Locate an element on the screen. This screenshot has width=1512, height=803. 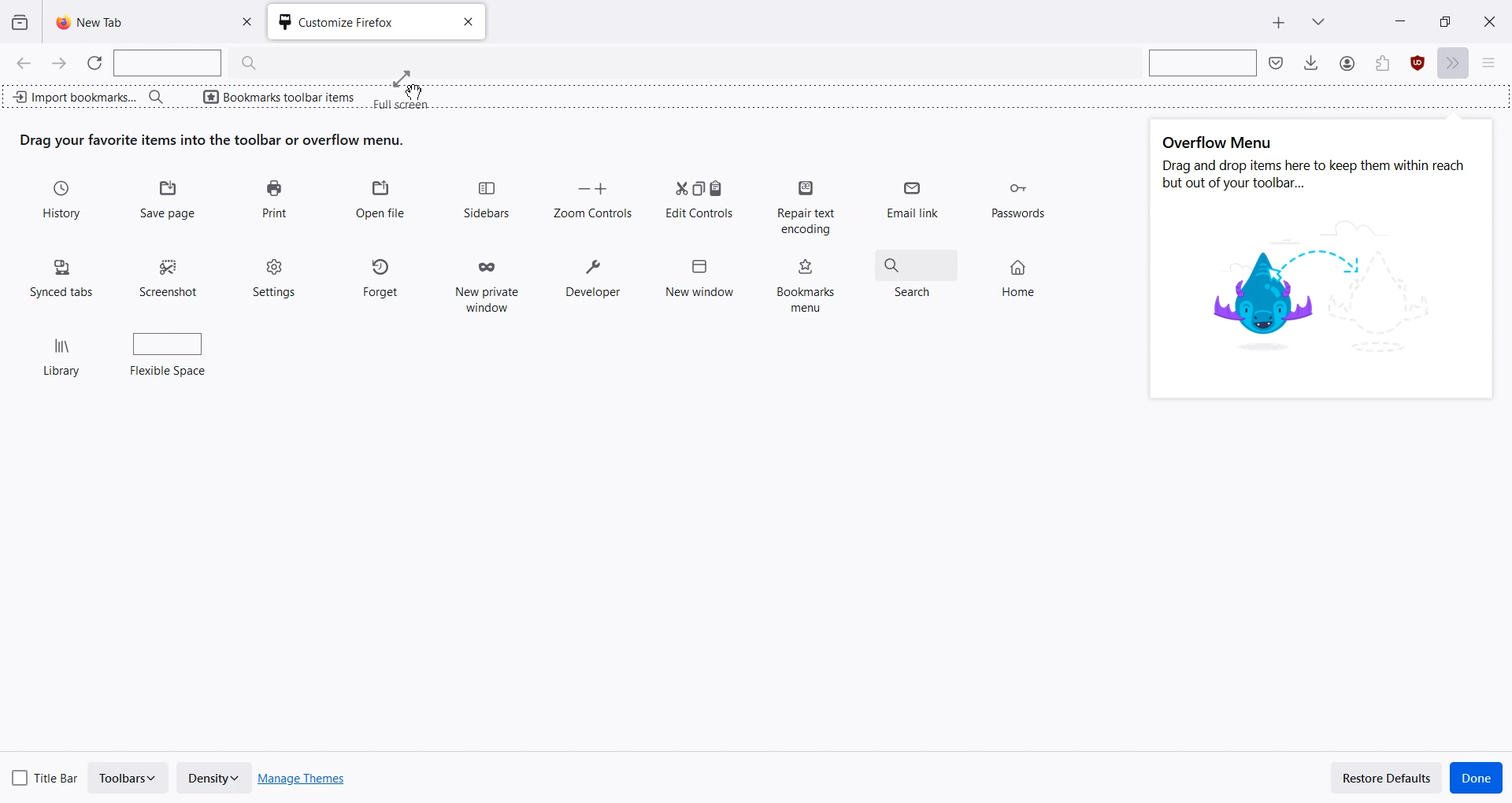
image is located at coordinates (1325, 294).